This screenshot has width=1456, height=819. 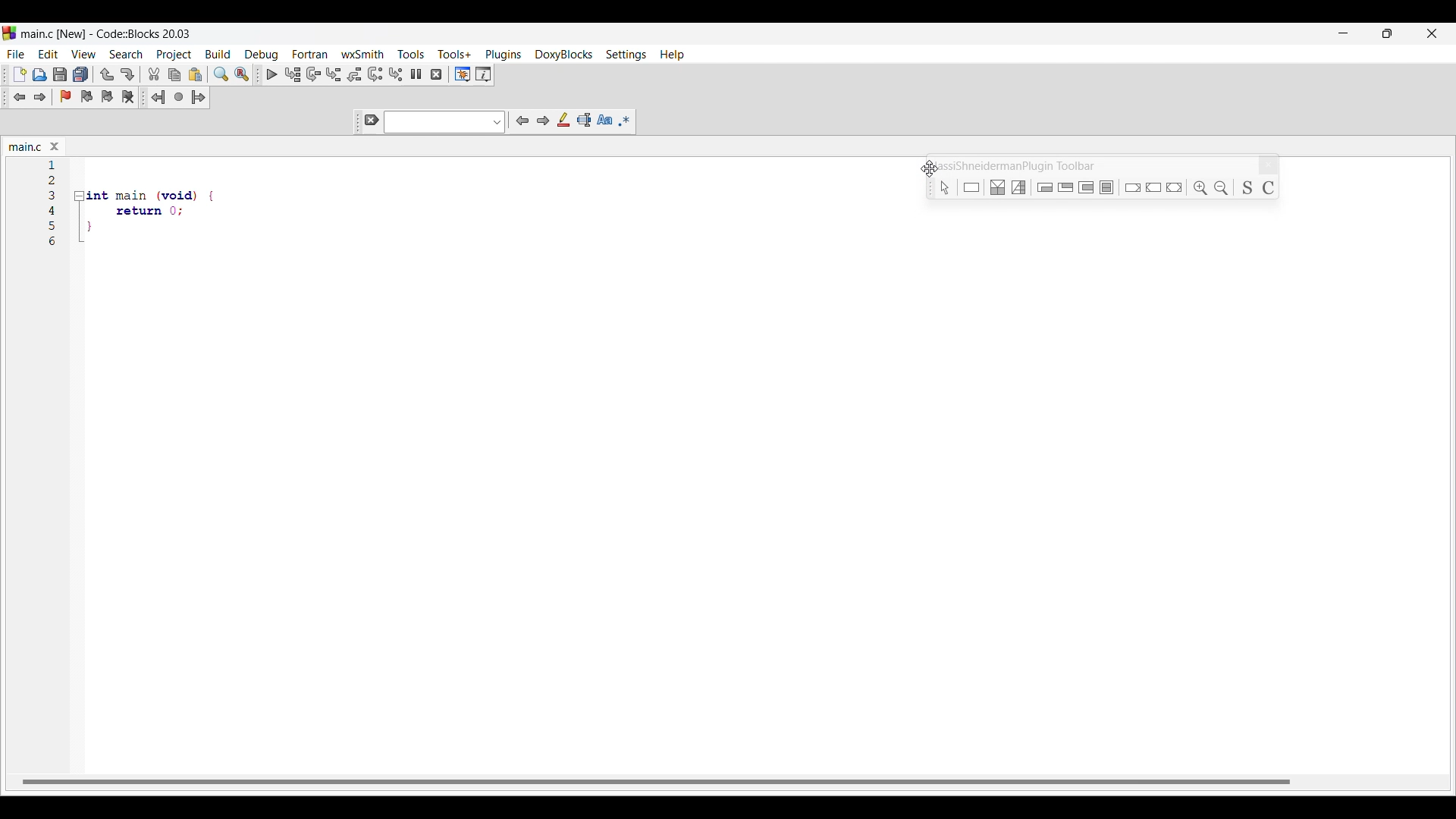 What do you see at coordinates (523, 121) in the screenshot?
I see `Previous` at bounding box center [523, 121].